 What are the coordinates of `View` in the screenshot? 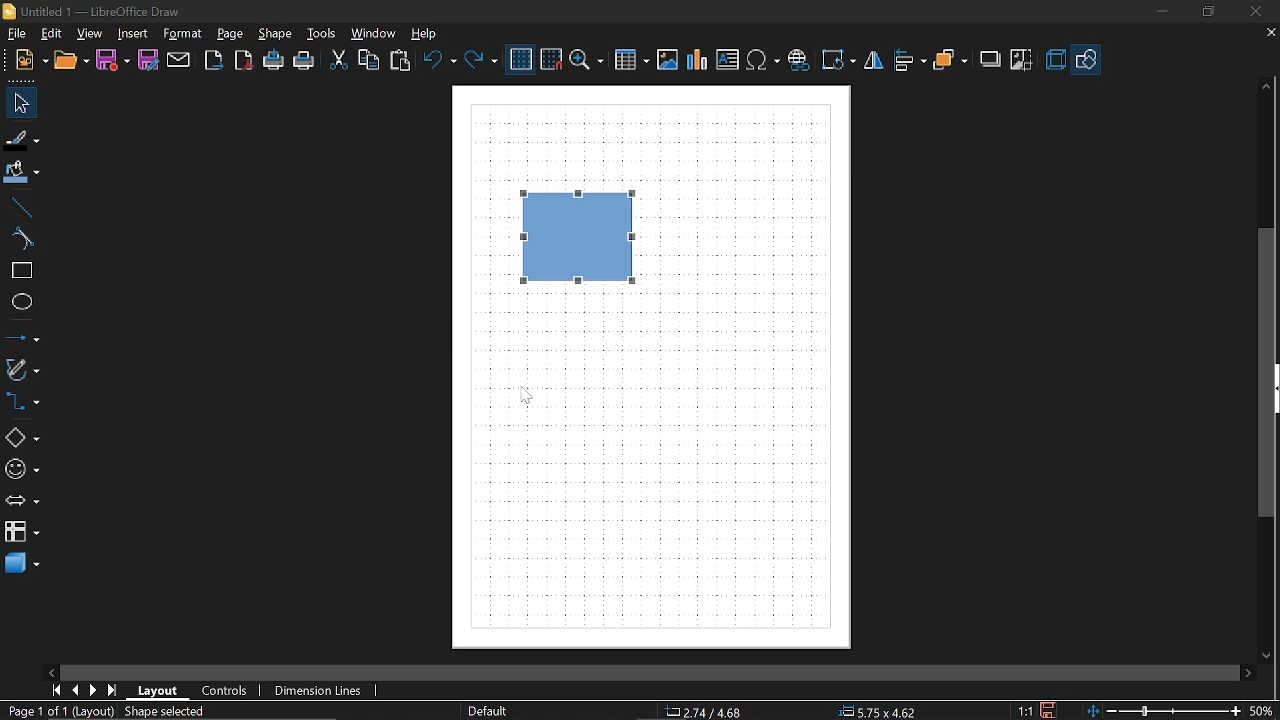 It's located at (90, 33).